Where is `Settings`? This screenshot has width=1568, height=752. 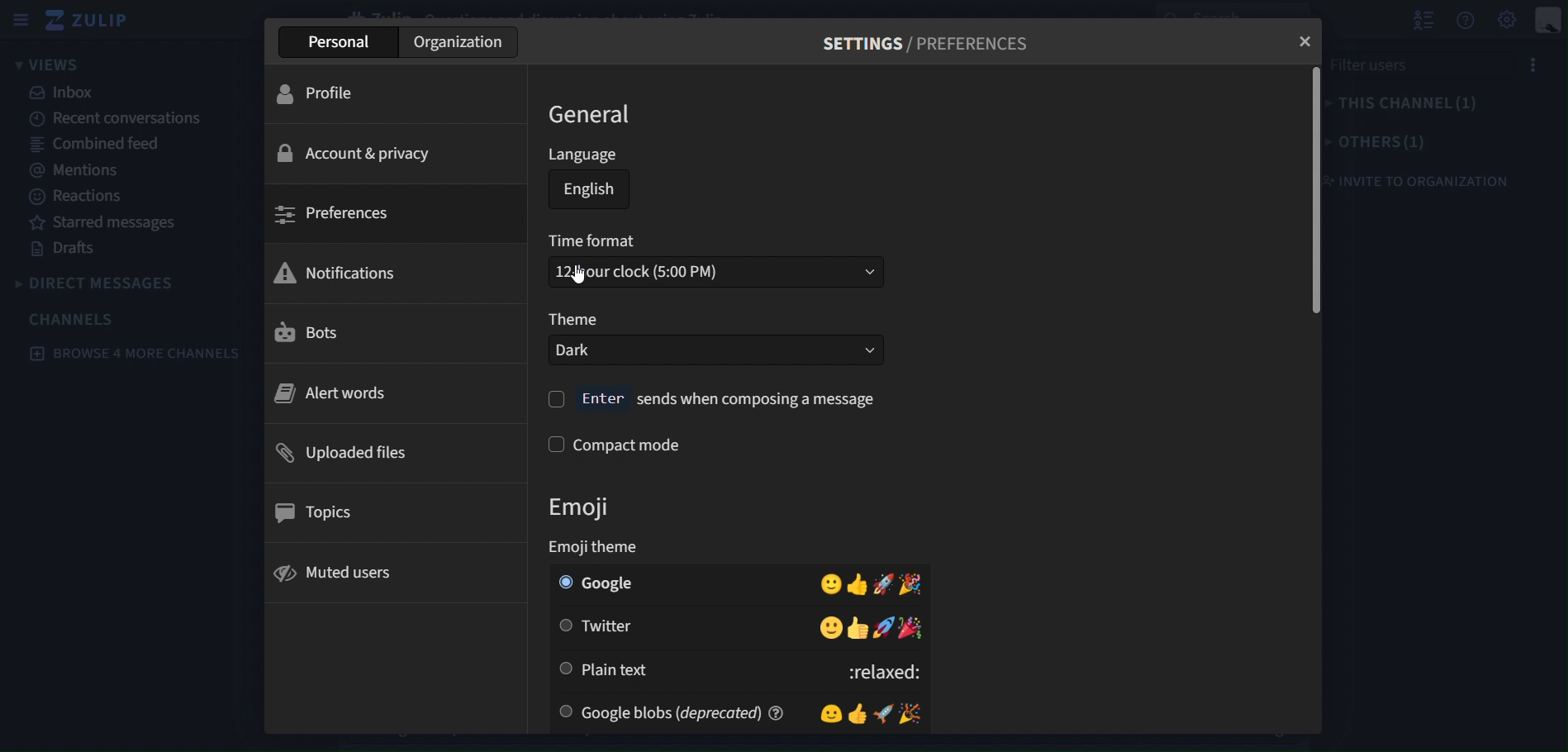
Settings is located at coordinates (1509, 20).